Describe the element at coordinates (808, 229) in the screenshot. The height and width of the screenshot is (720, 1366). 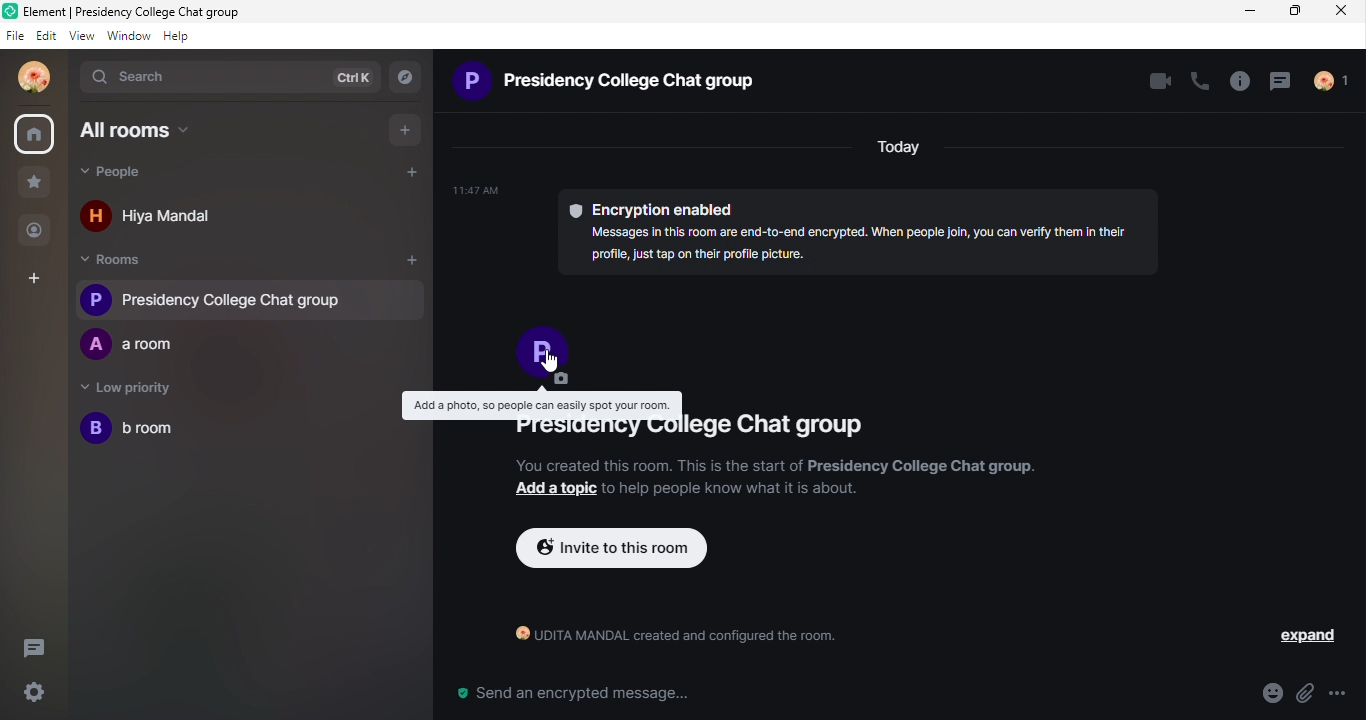
I see `® Encryption enabled
Messages In this room are end-to-end encrypted. When people join, you can verify them In their
profile, Just tap on their profile picture.` at that location.